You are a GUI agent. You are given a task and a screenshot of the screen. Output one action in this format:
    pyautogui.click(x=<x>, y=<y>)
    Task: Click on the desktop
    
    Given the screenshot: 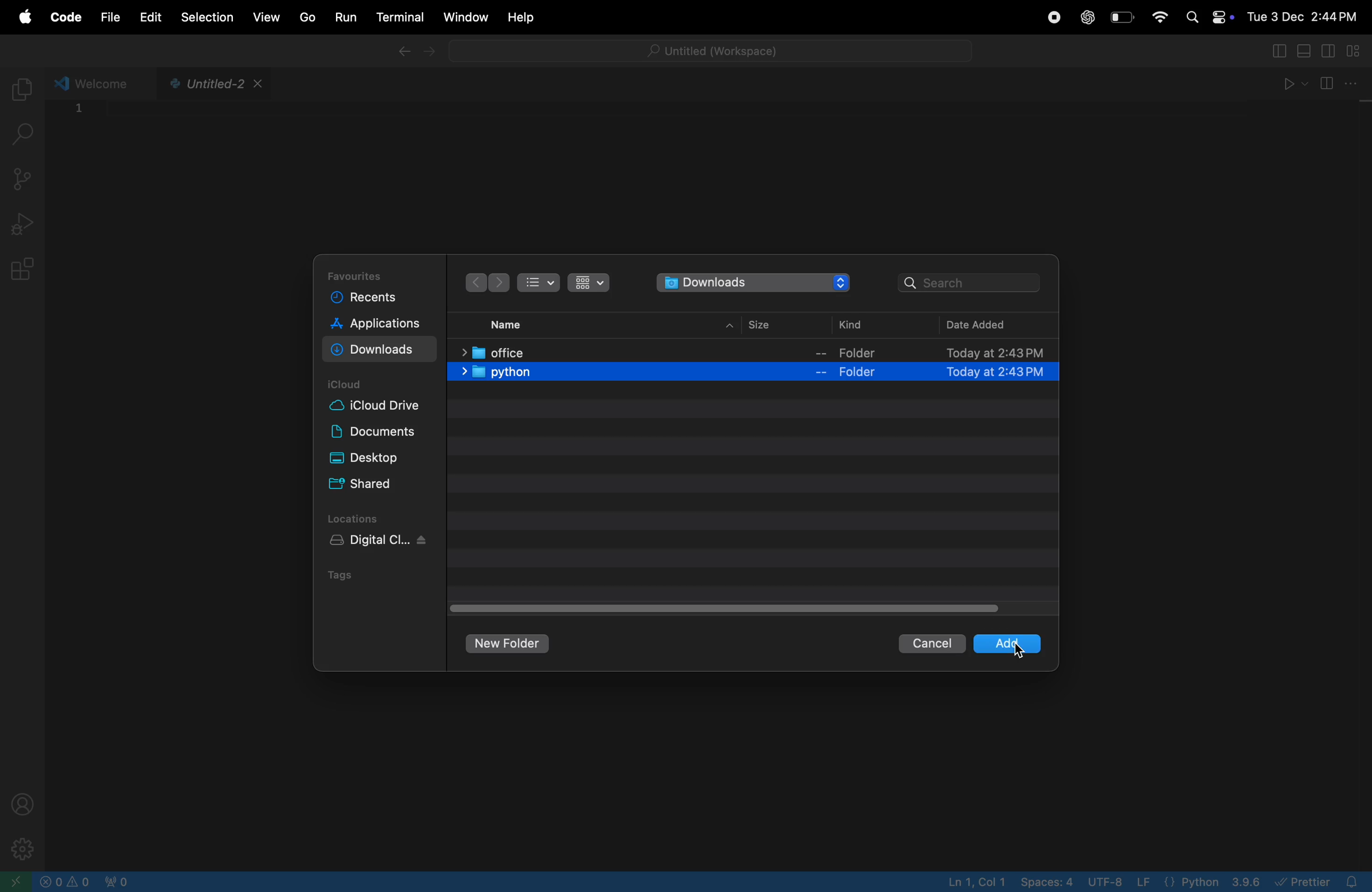 What is the action you would take?
    pyautogui.click(x=377, y=460)
    